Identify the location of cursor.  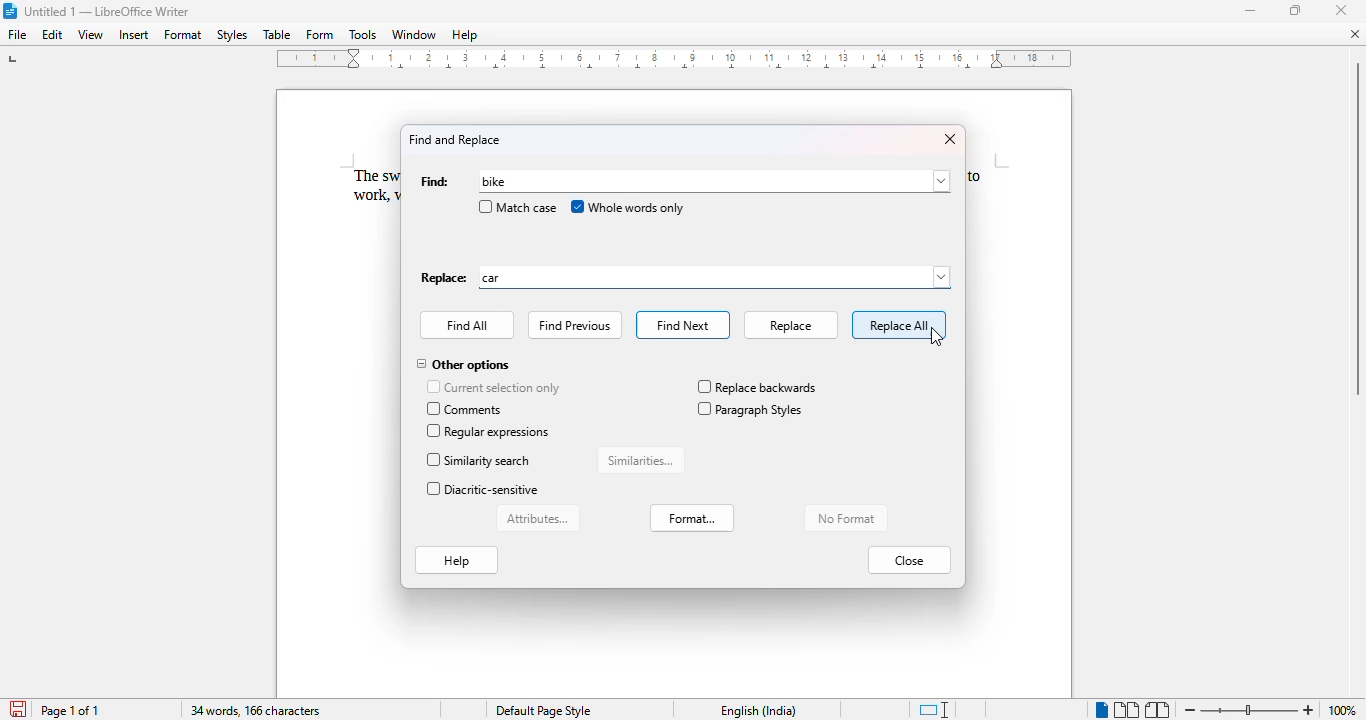
(773, 209).